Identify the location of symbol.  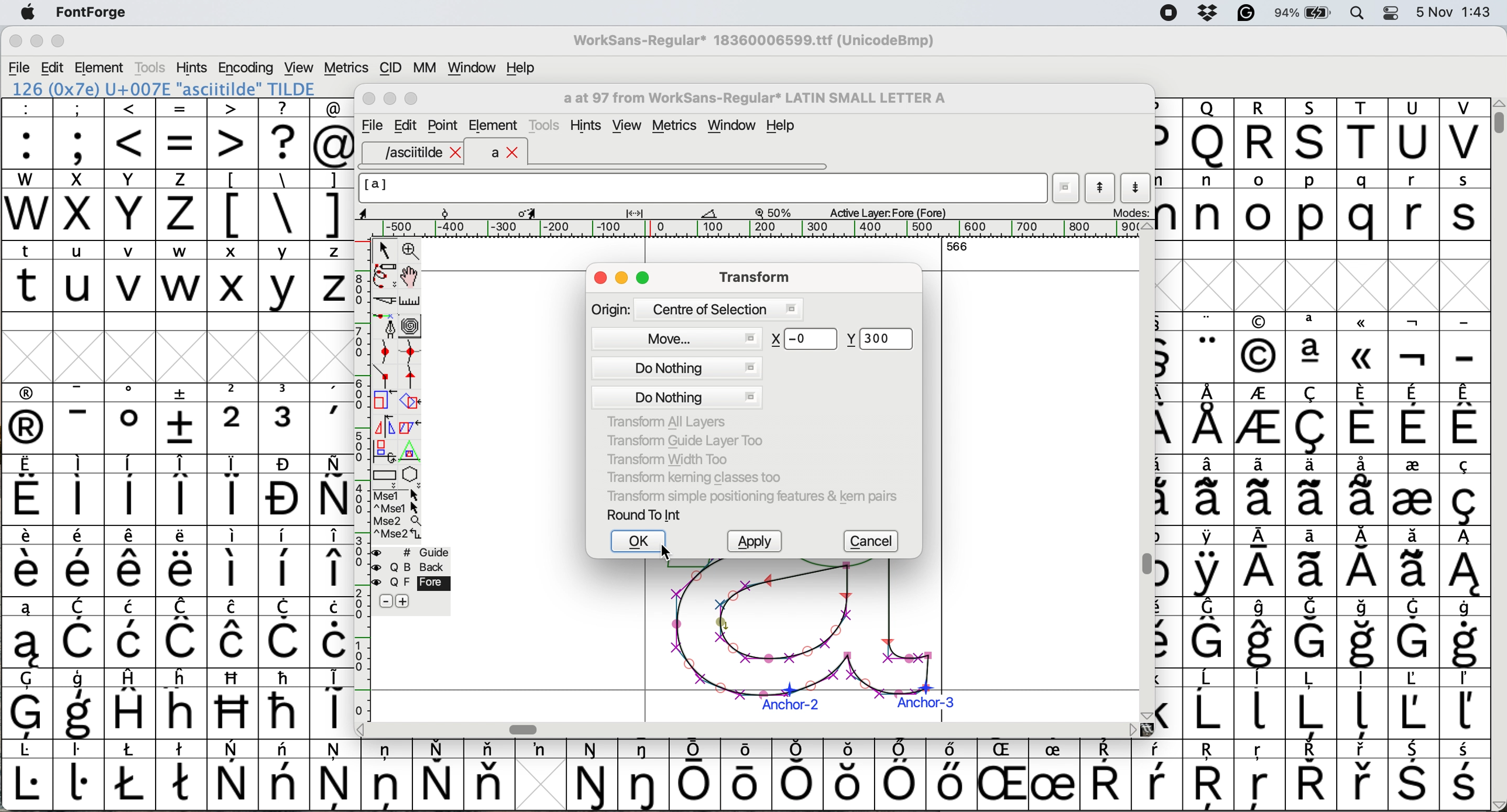
(1466, 418).